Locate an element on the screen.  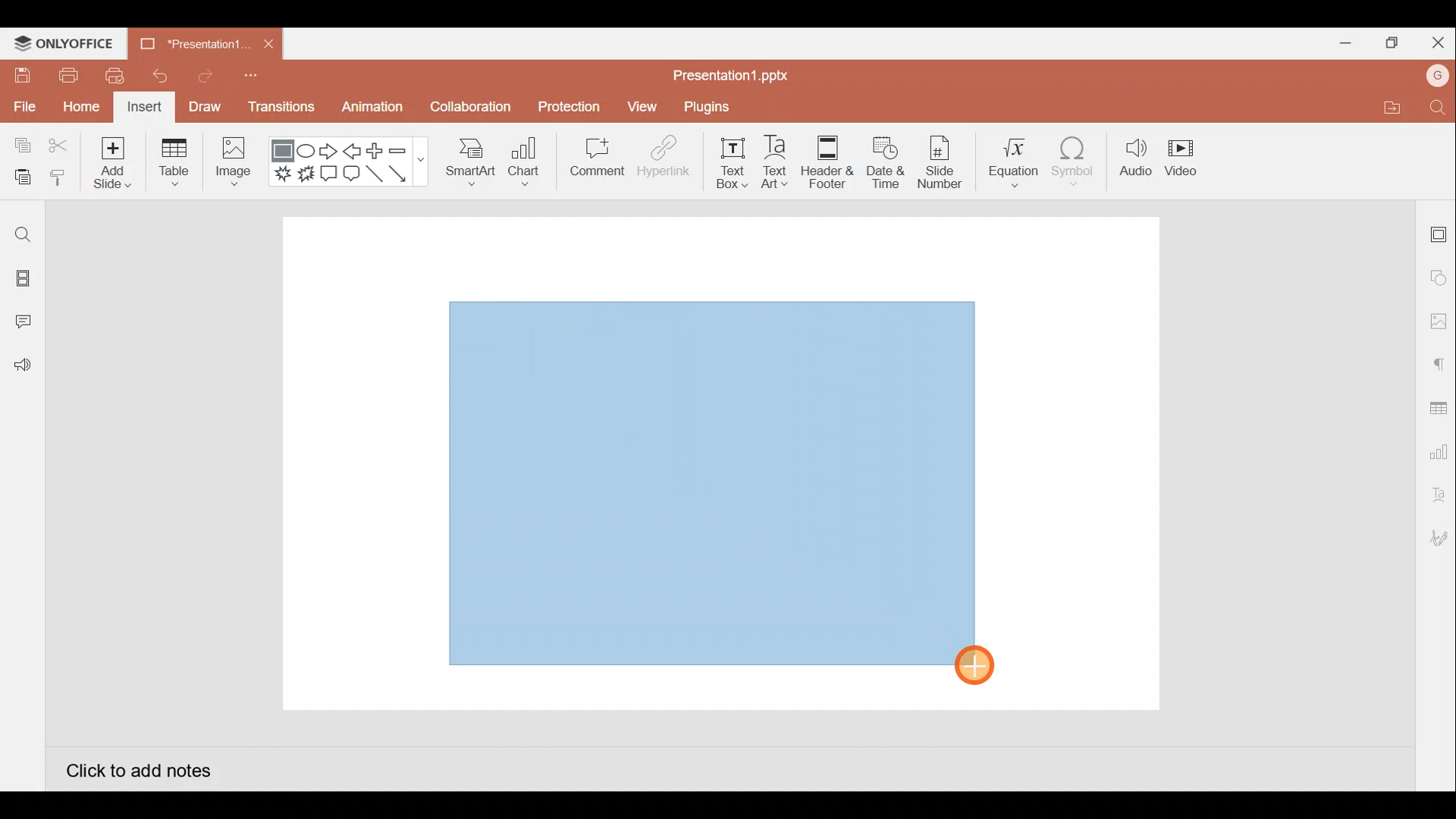
Right arrow is located at coordinates (328, 152).